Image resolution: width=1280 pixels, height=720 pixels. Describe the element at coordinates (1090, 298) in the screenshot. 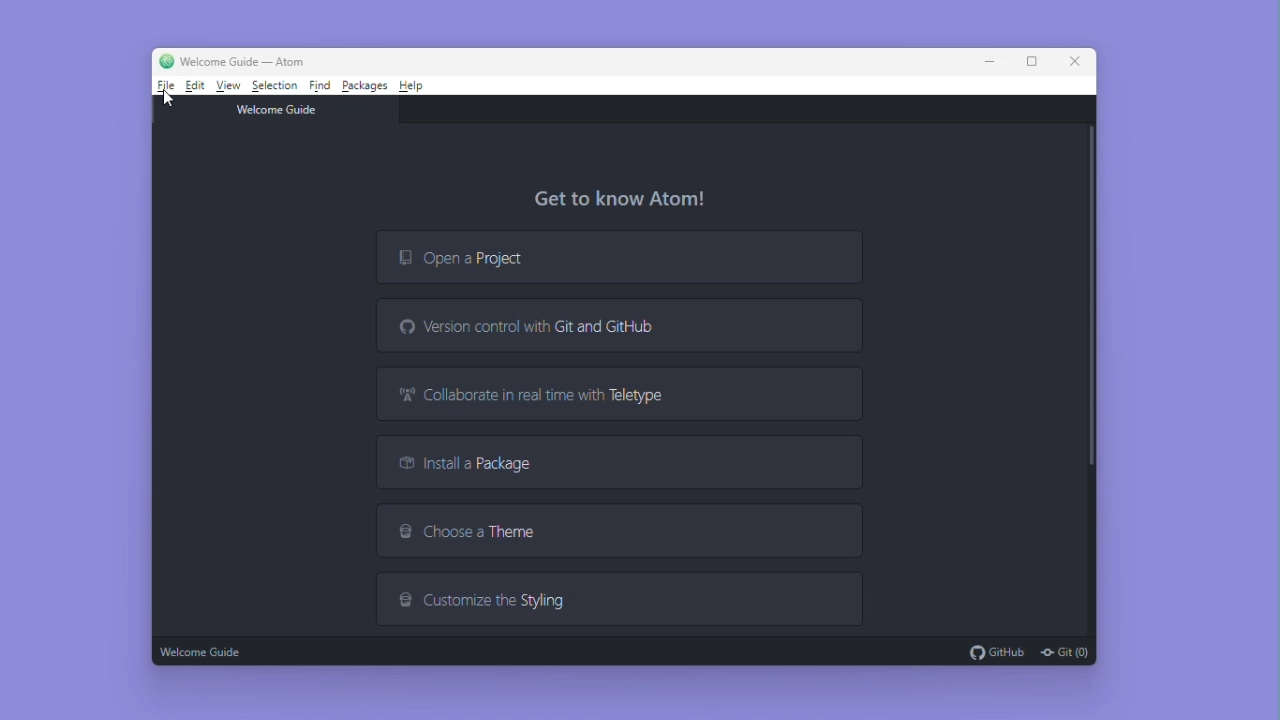

I see `Vertical scroll bar` at that location.